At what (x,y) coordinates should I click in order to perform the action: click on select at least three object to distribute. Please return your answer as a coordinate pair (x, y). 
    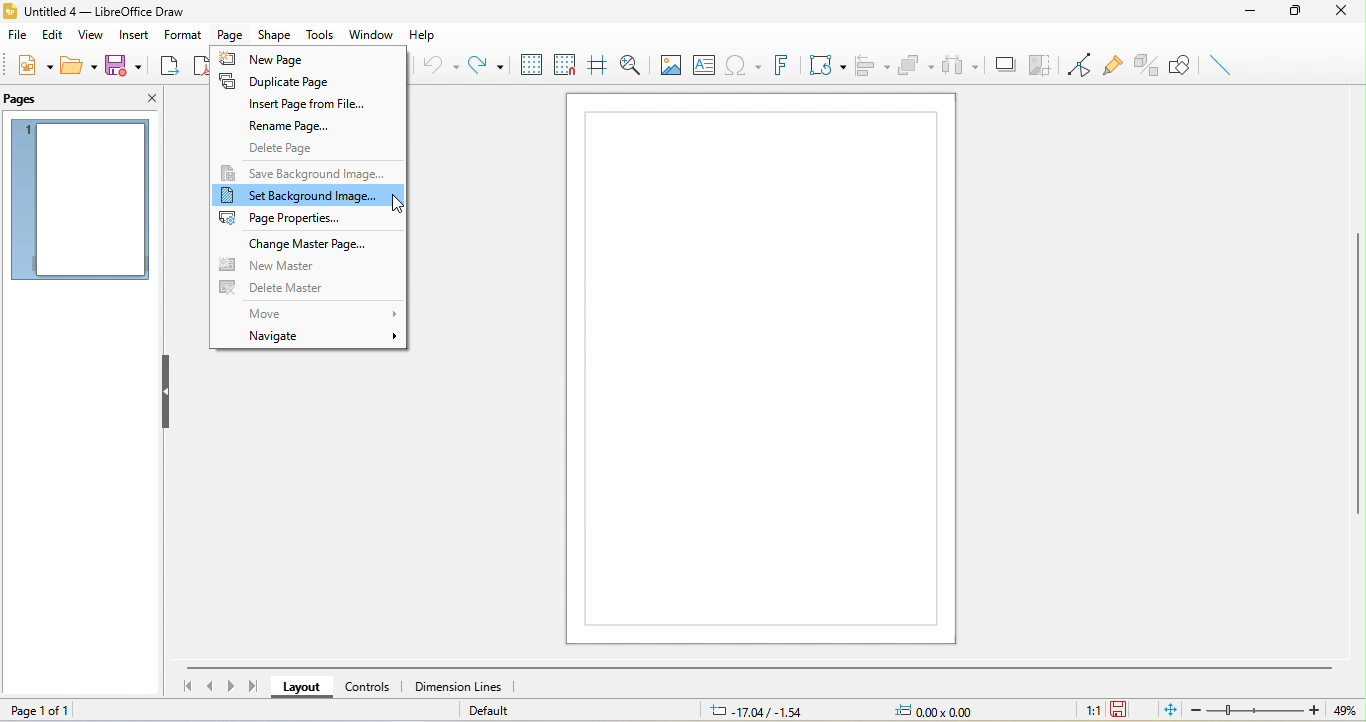
    Looking at the image, I should click on (963, 66).